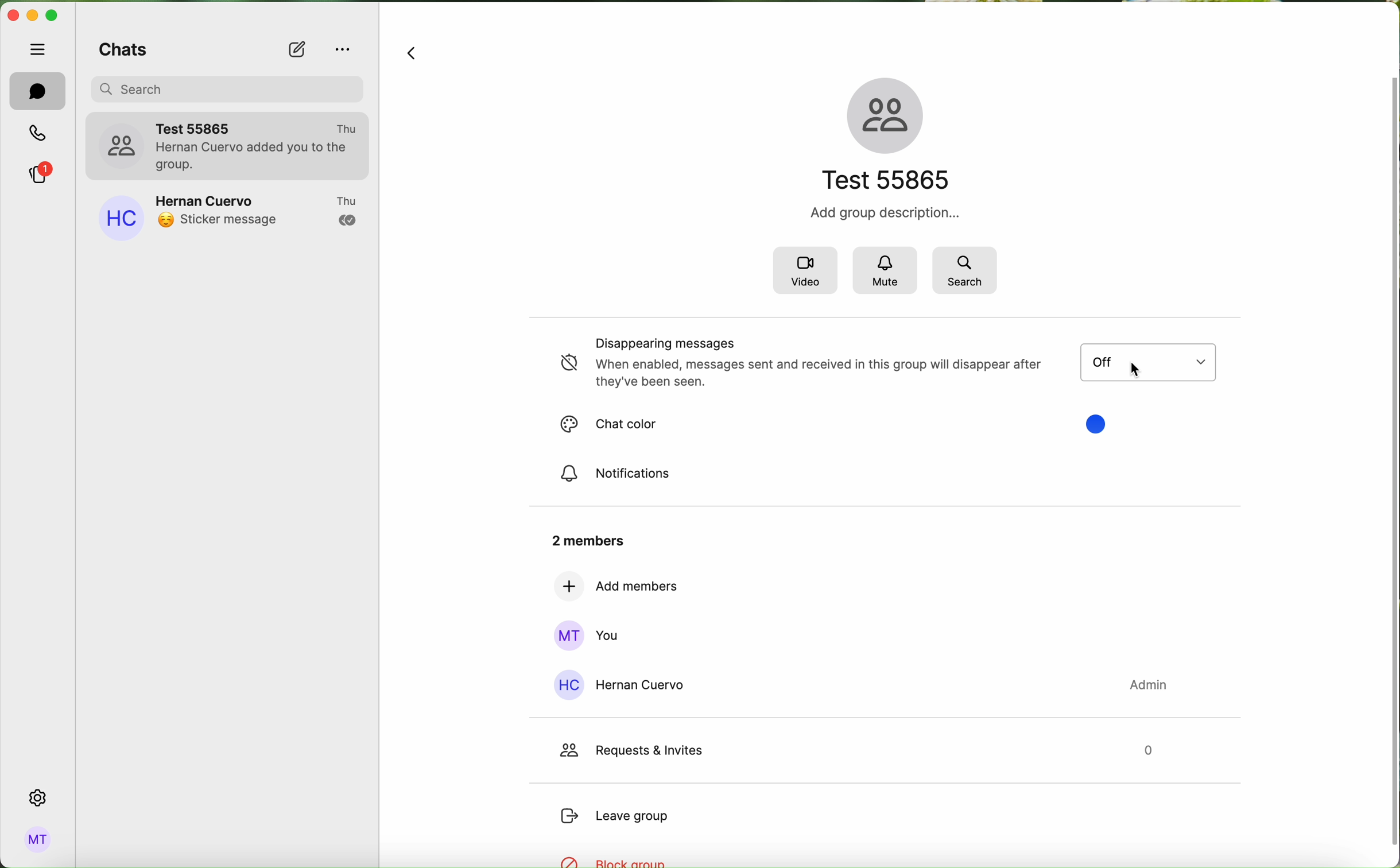 Image resolution: width=1400 pixels, height=868 pixels. Describe the element at coordinates (37, 798) in the screenshot. I see `settings` at that location.